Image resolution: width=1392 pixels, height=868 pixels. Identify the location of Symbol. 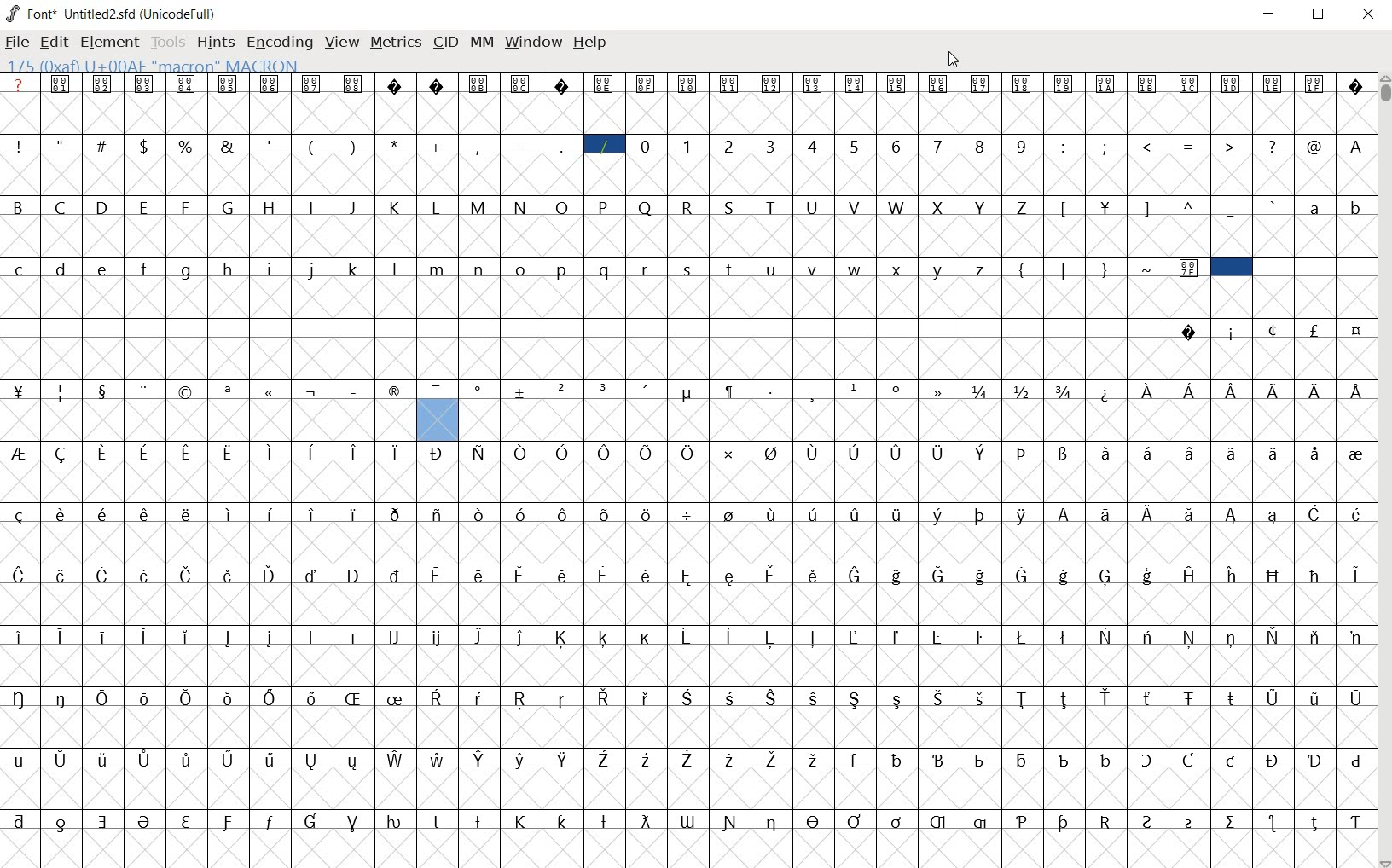
(229, 390).